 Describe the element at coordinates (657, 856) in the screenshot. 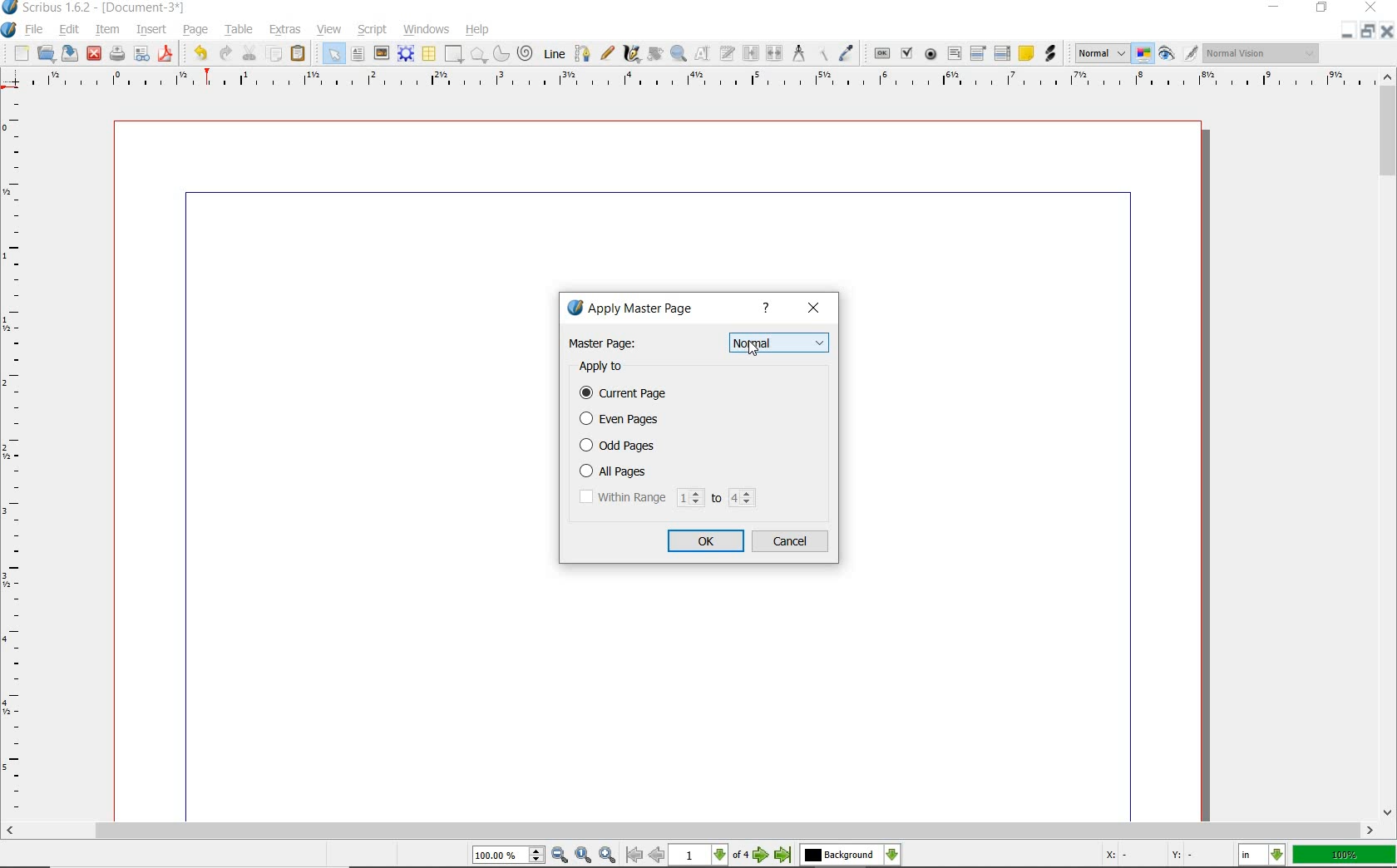

I see `Previous Page` at that location.